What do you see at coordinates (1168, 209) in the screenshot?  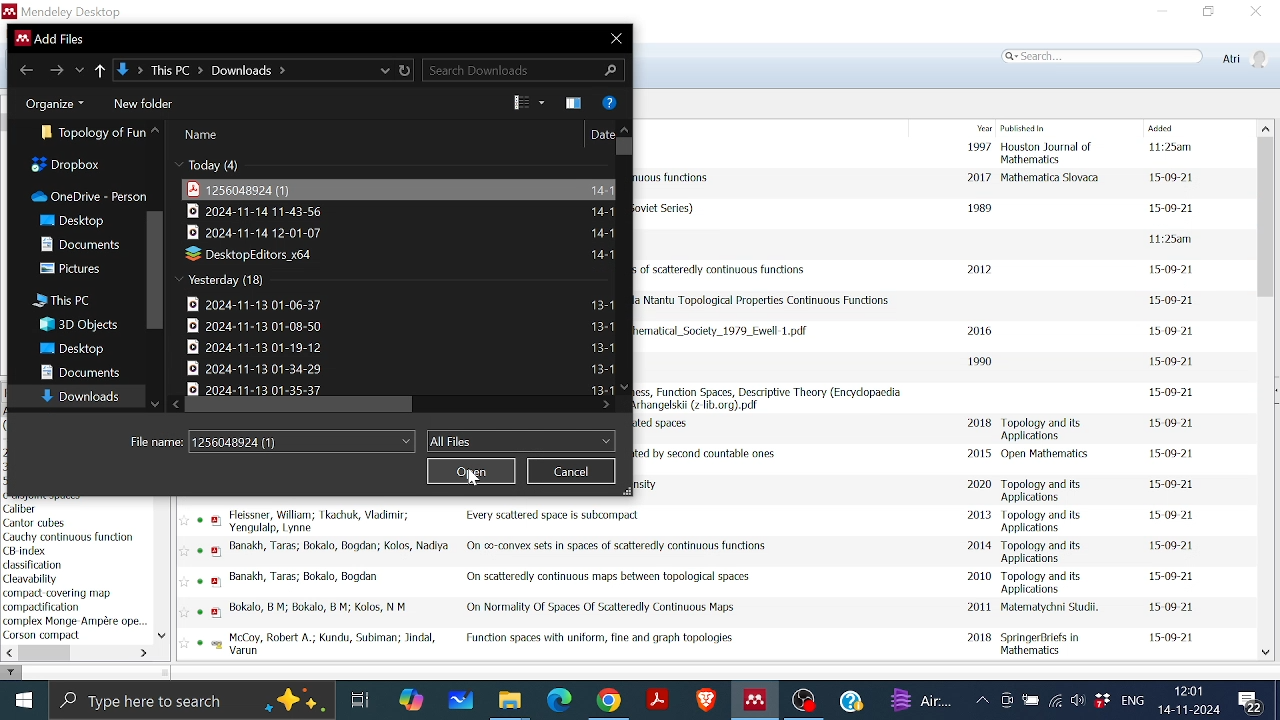 I see `date` at bounding box center [1168, 209].